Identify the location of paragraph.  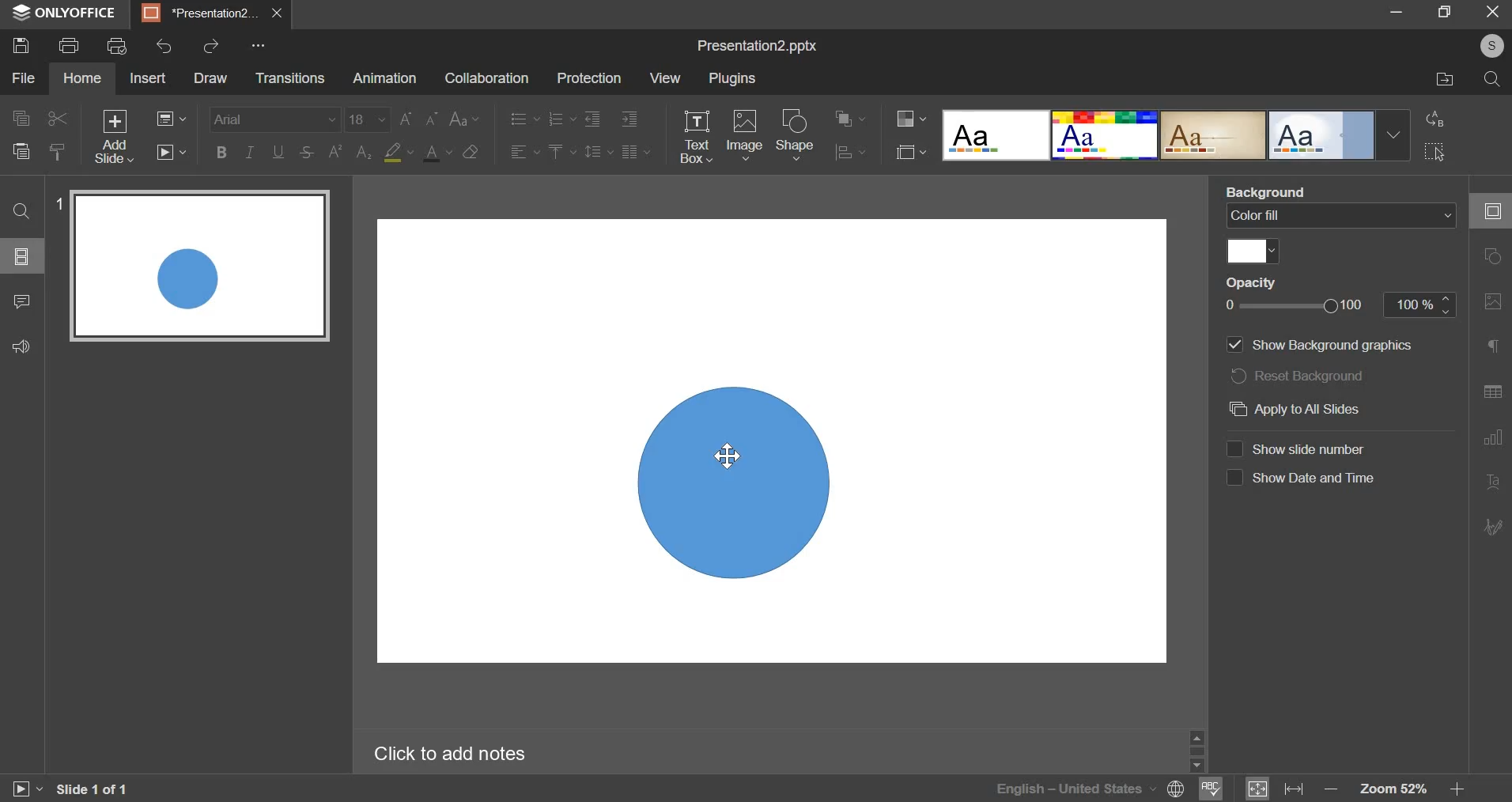
(638, 151).